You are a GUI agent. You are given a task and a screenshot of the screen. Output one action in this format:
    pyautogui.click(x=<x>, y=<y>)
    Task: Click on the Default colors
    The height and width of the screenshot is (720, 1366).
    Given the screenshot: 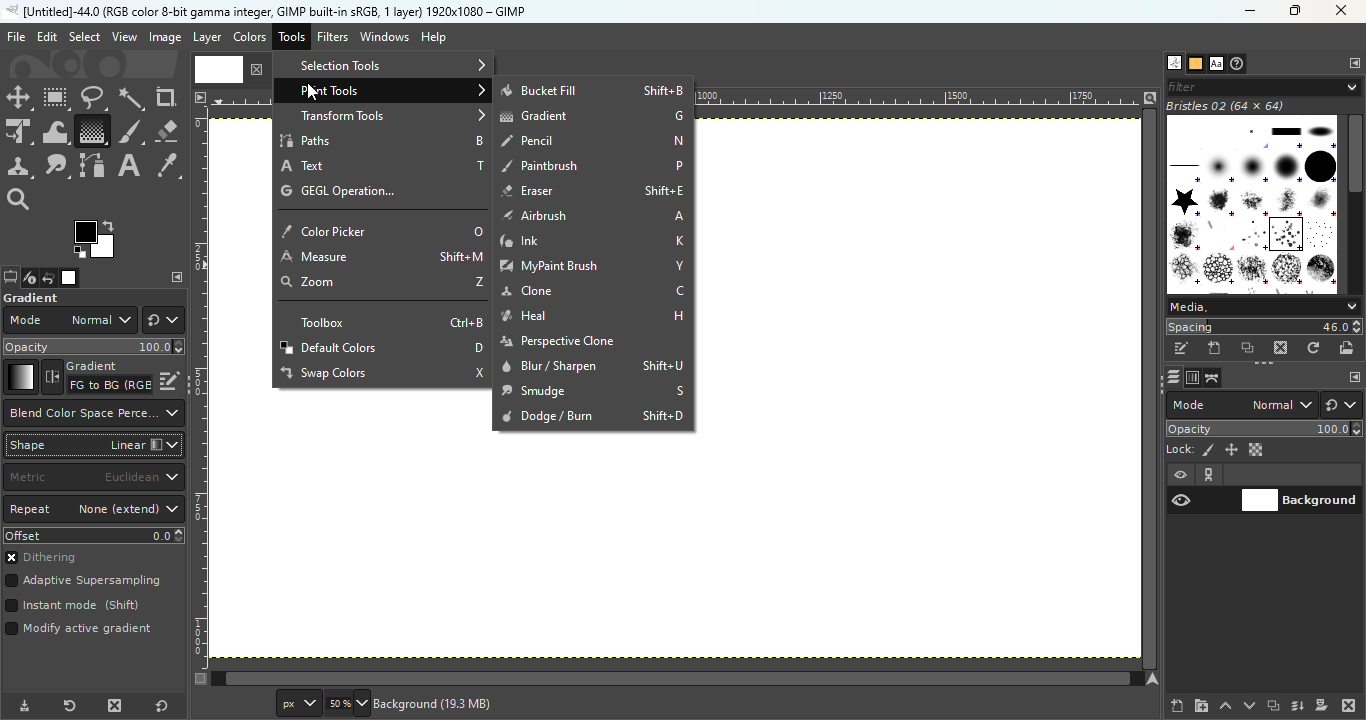 What is the action you would take?
    pyautogui.click(x=382, y=348)
    